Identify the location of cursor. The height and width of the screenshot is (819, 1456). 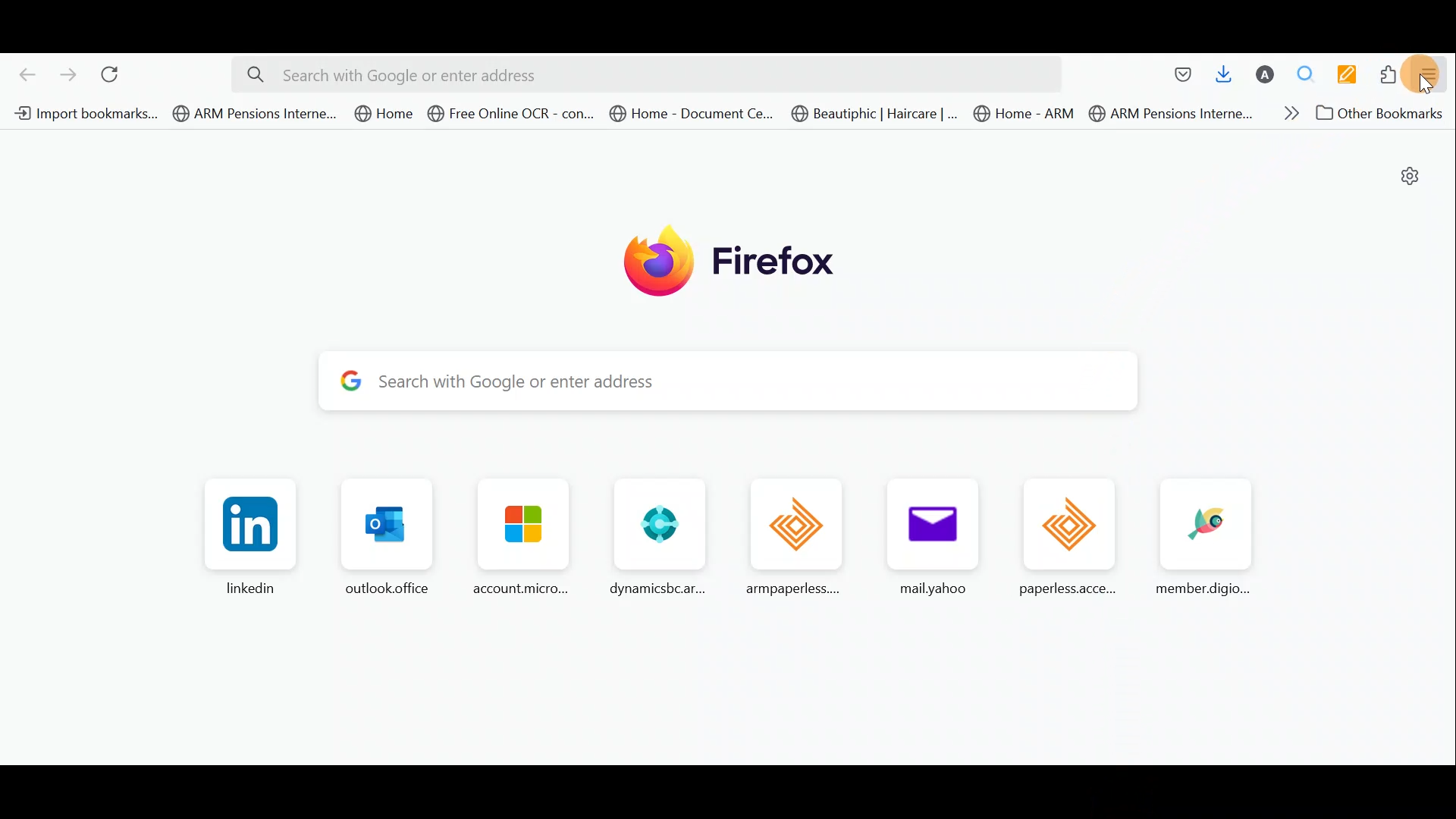
(1423, 89).